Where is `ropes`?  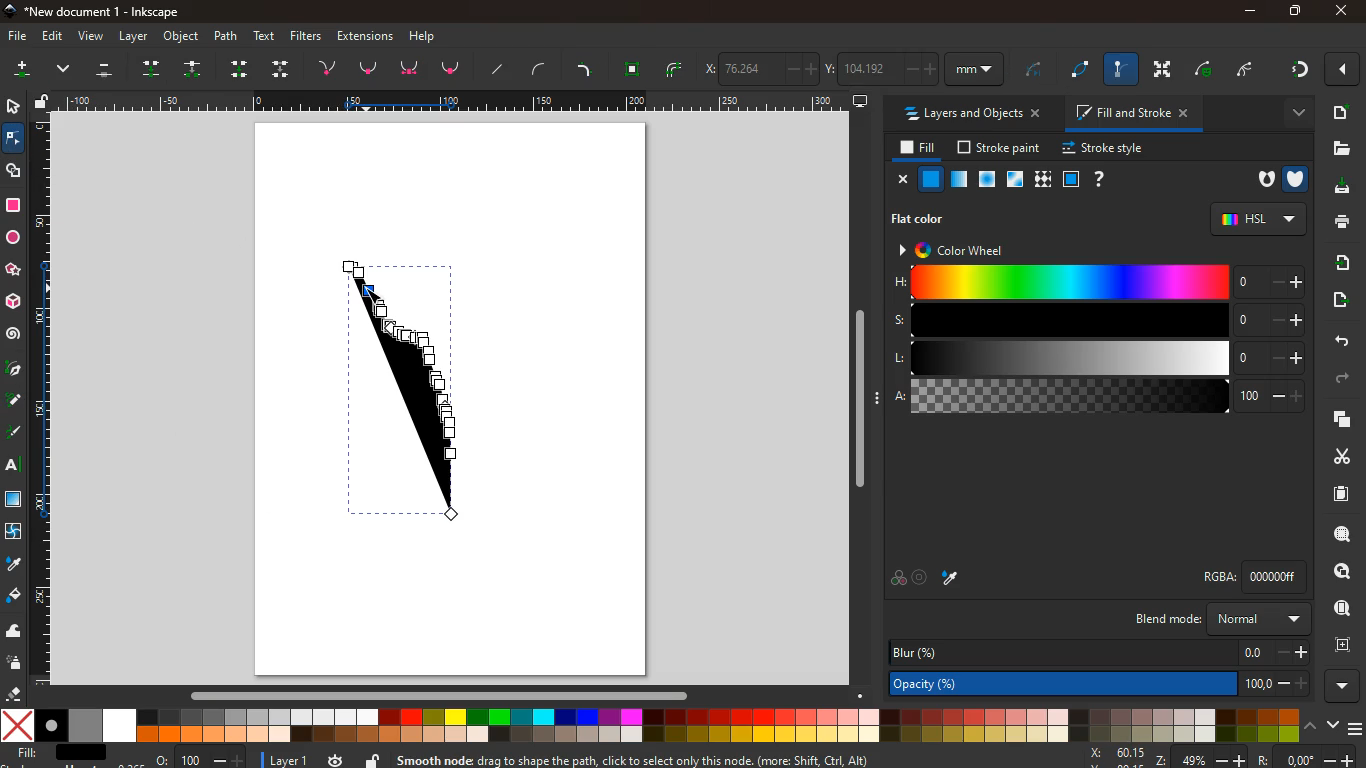 ropes is located at coordinates (676, 69).